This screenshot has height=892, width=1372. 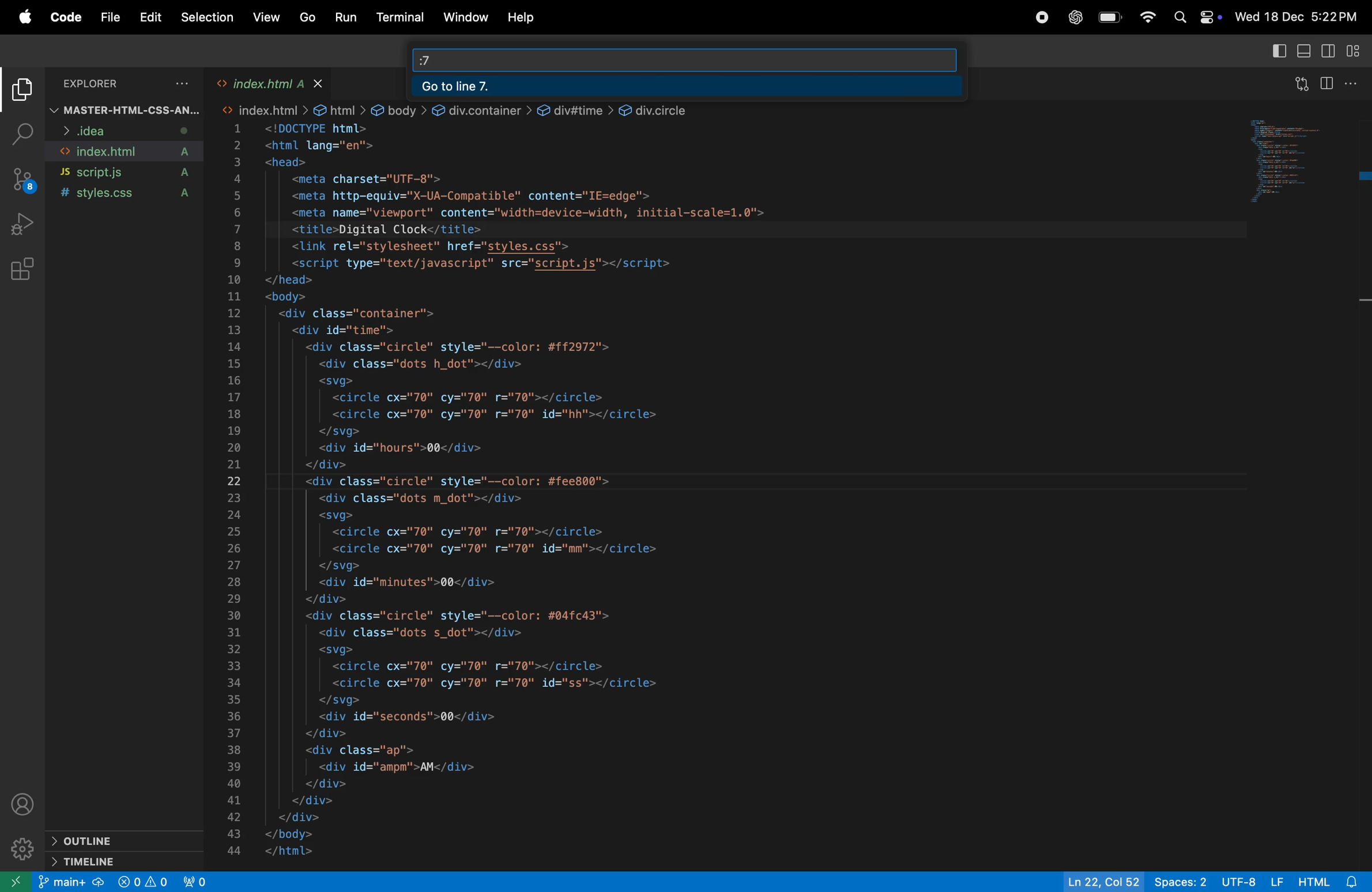 I want to click on run and debug, so click(x=24, y=225).